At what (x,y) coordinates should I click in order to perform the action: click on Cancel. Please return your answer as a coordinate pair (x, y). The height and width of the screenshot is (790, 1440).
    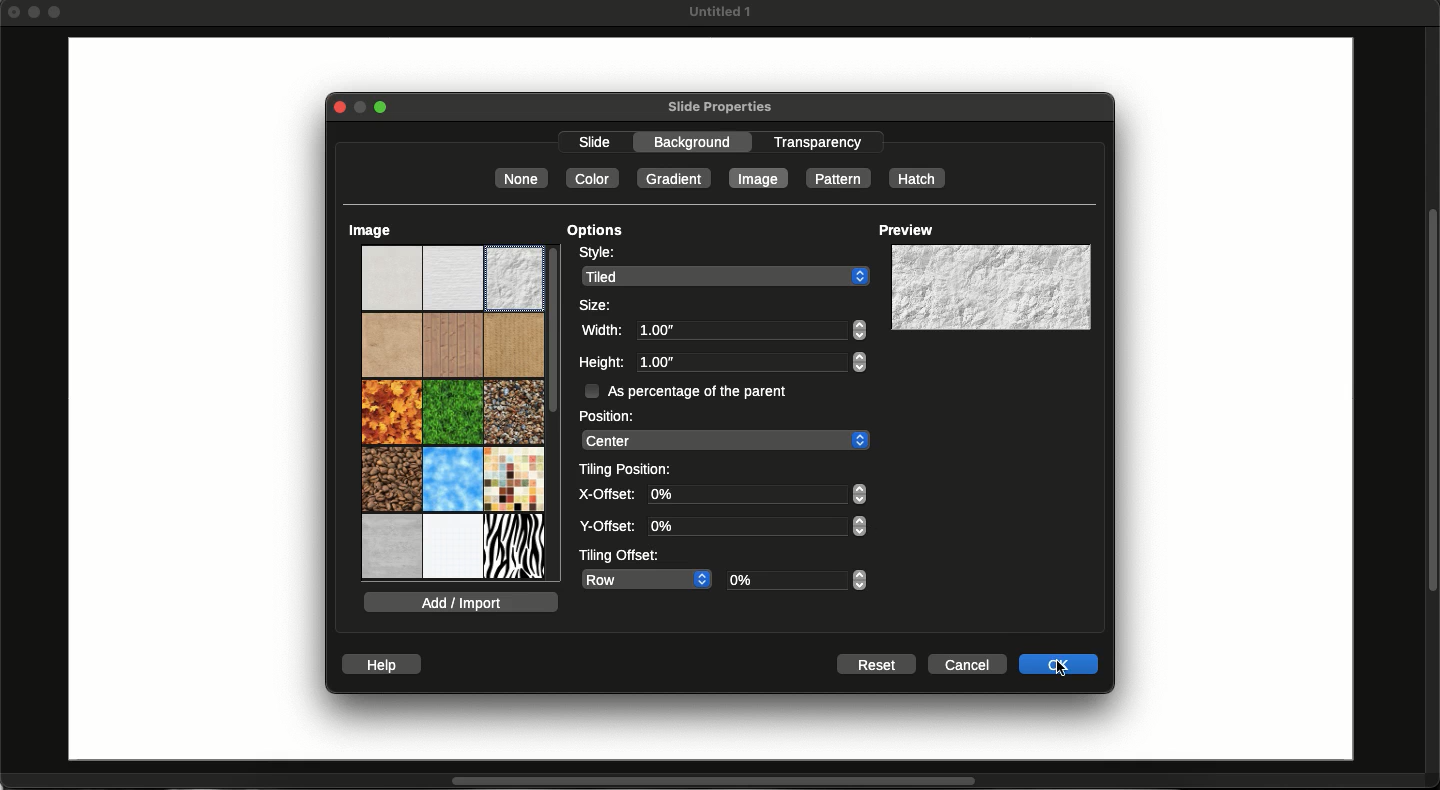
    Looking at the image, I should click on (969, 664).